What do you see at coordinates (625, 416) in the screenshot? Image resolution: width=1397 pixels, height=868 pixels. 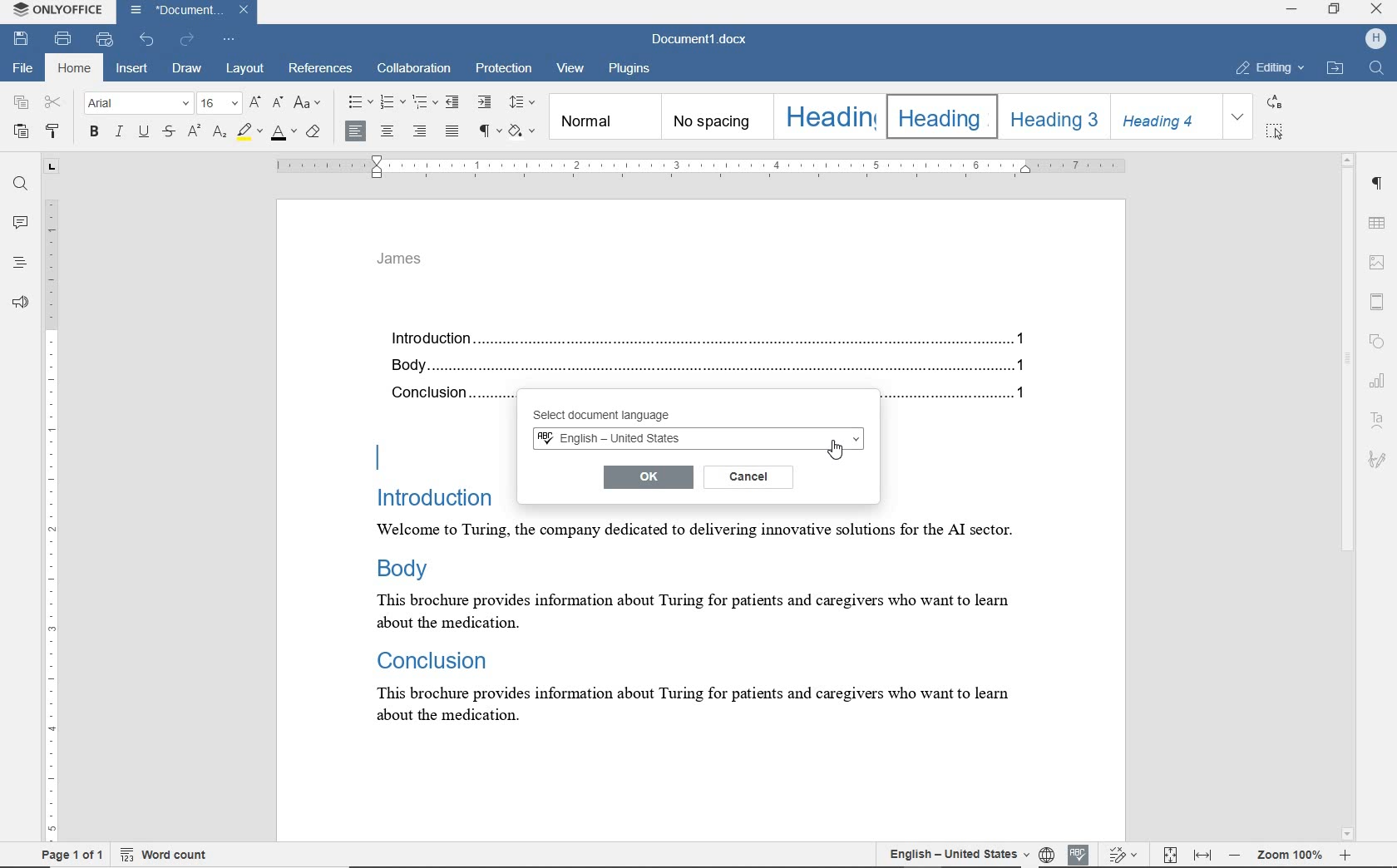 I see `select document language` at bounding box center [625, 416].